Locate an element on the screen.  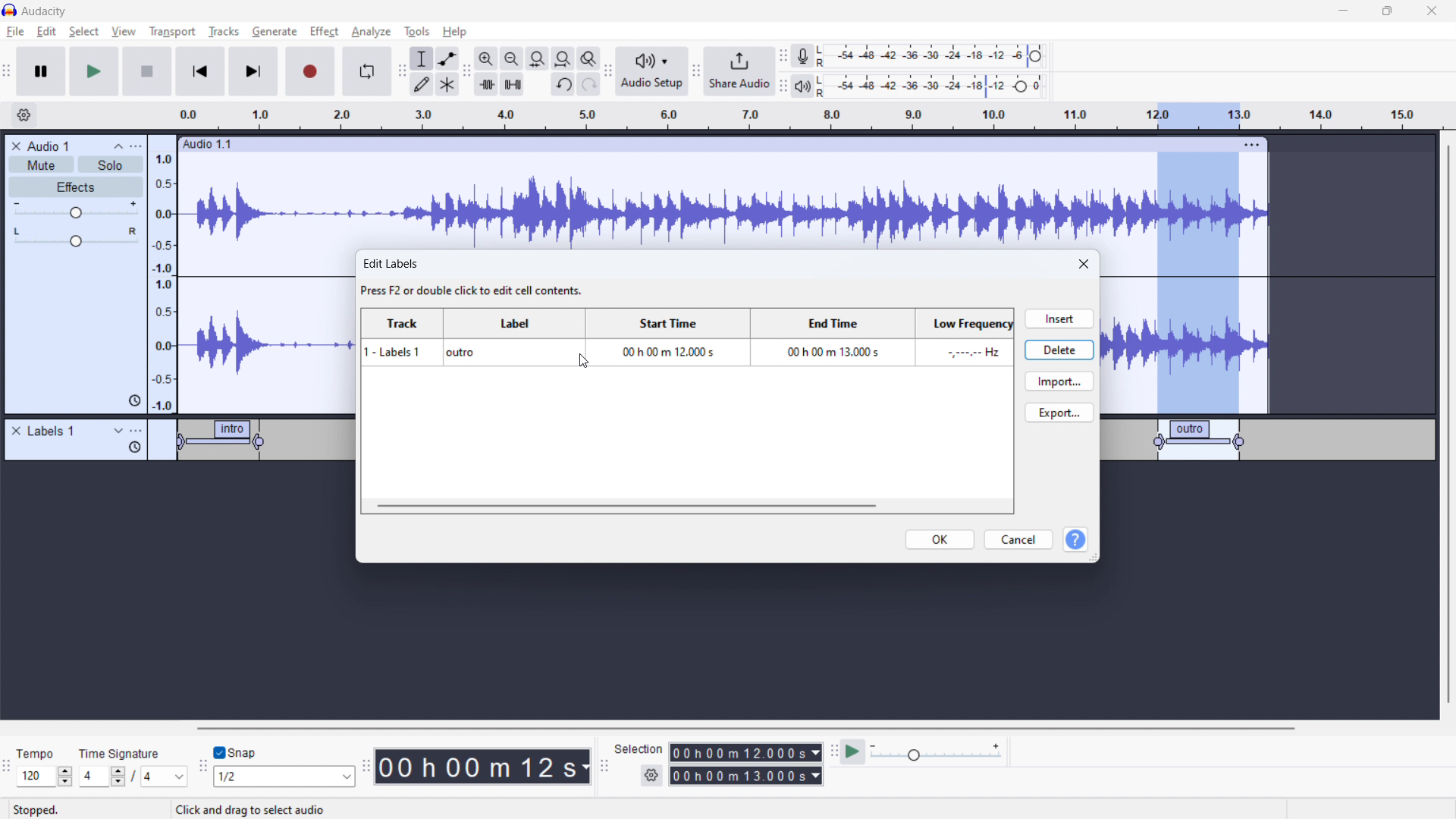
playback meter is located at coordinates (802, 87).